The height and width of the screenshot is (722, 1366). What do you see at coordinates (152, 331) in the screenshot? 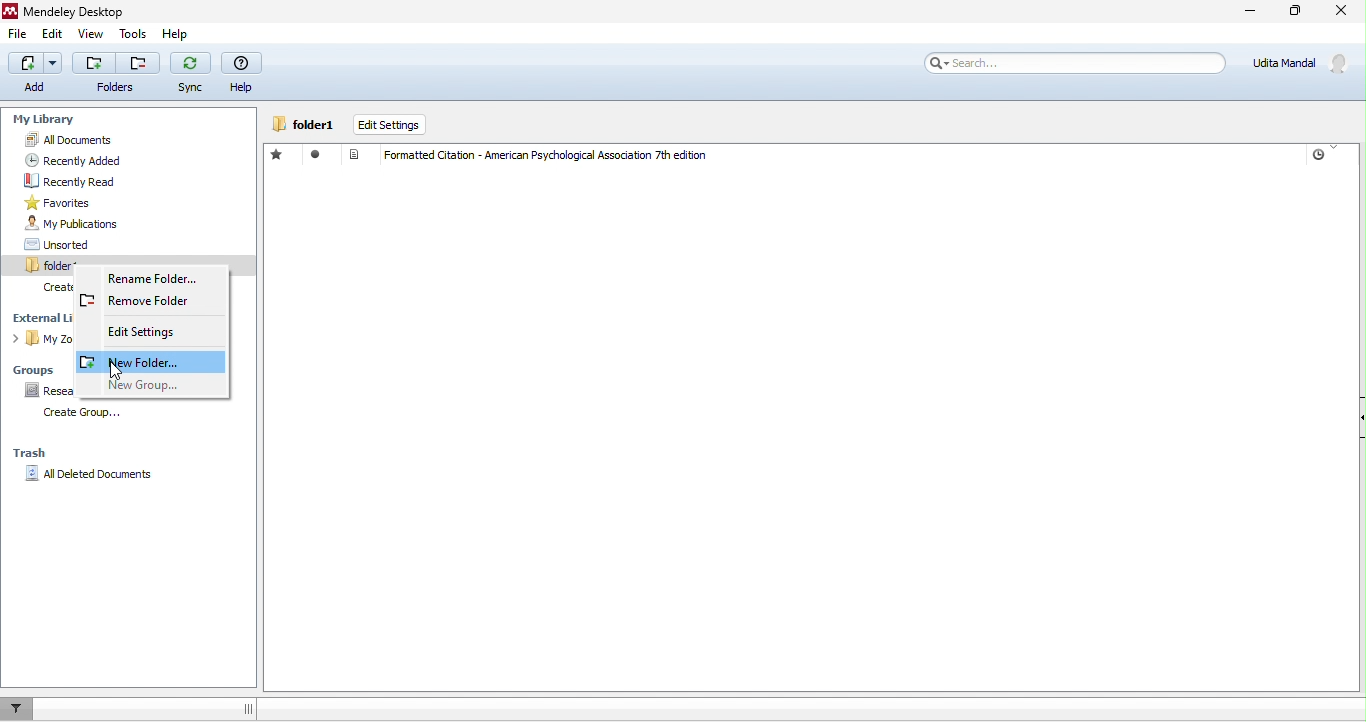
I see `edit settings` at bounding box center [152, 331].